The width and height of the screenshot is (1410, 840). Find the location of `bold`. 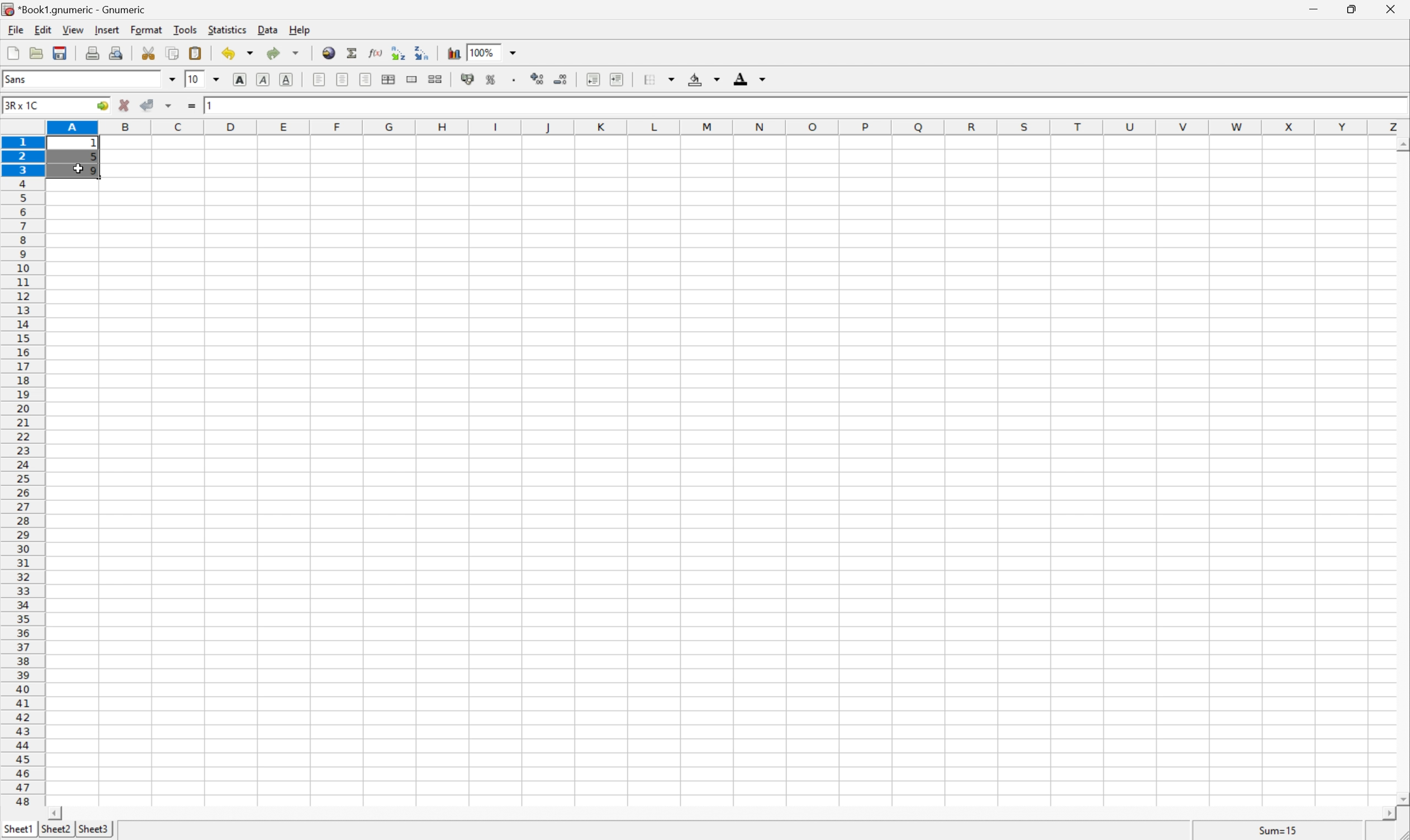

bold is located at coordinates (242, 80).